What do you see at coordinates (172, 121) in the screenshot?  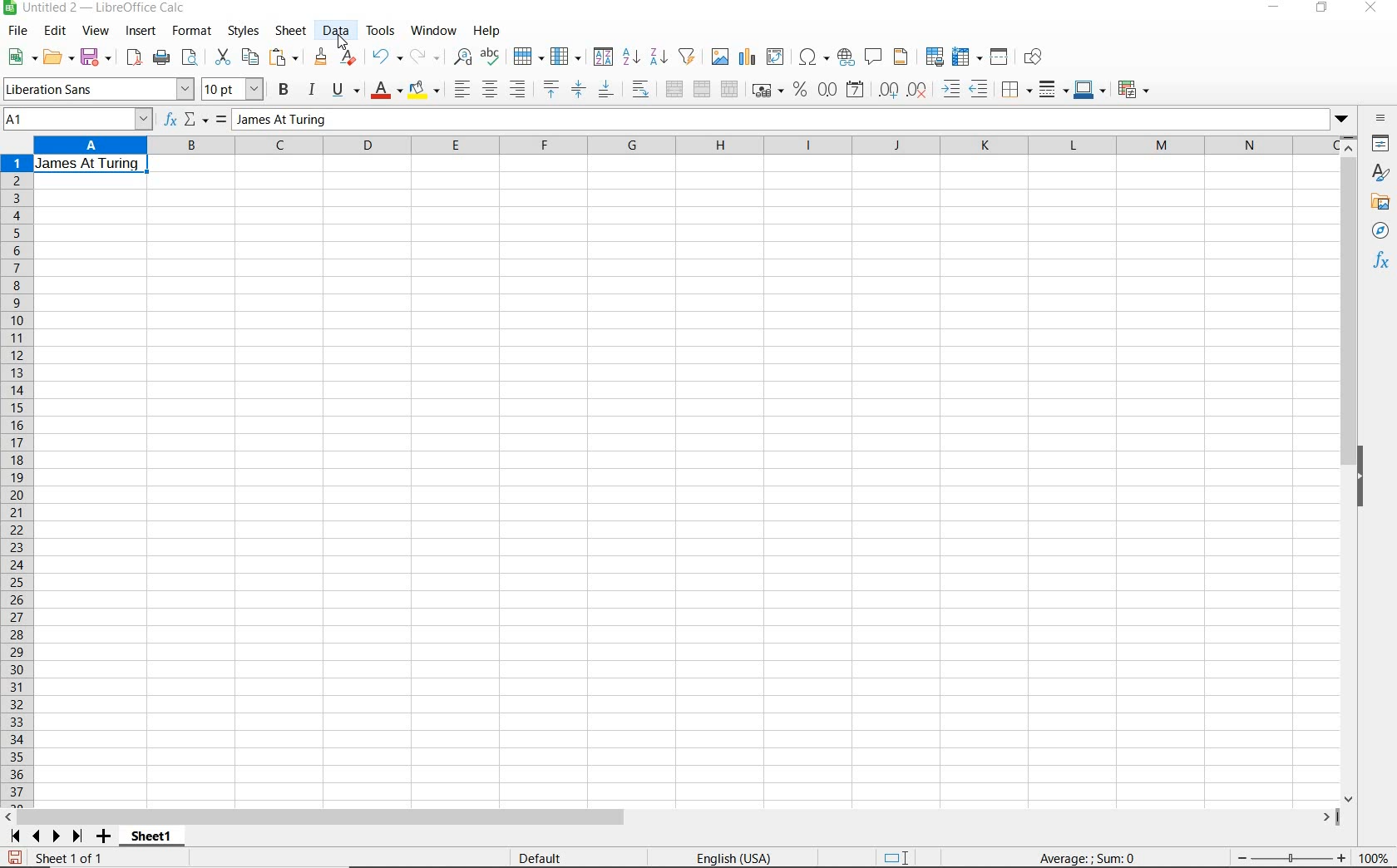 I see `function wizard` at bounding box center [172, 121].